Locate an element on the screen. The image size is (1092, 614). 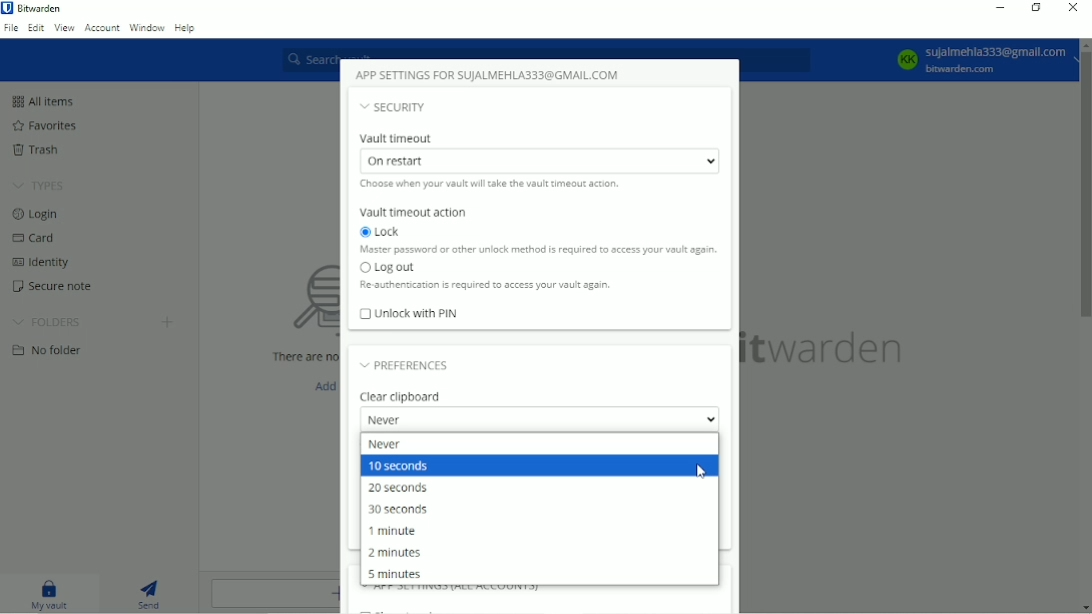
Edit is located at coordinates (34, 27).